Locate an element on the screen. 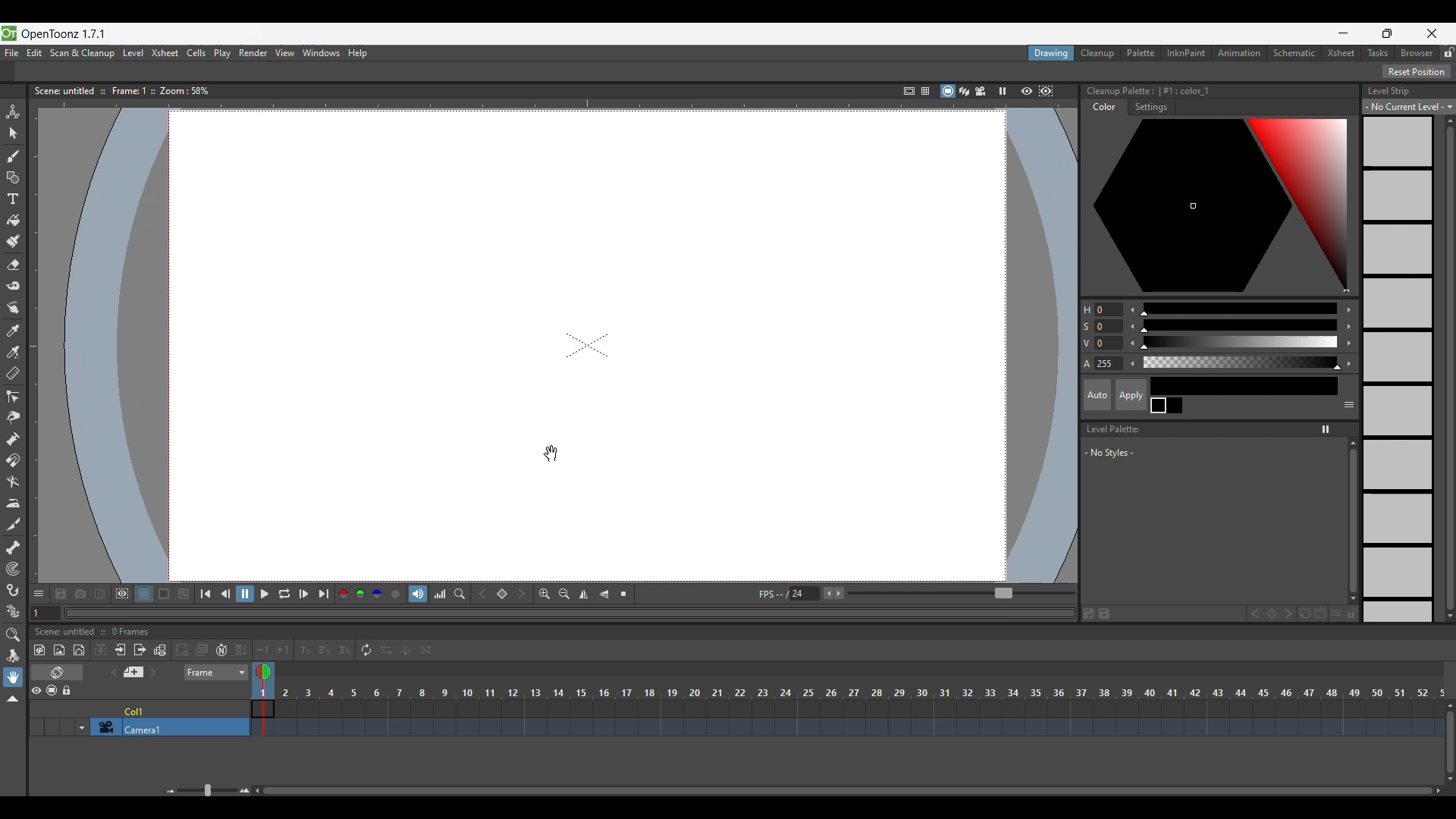 The image size is (1456, 819). File is located at coordinates (11, 53).